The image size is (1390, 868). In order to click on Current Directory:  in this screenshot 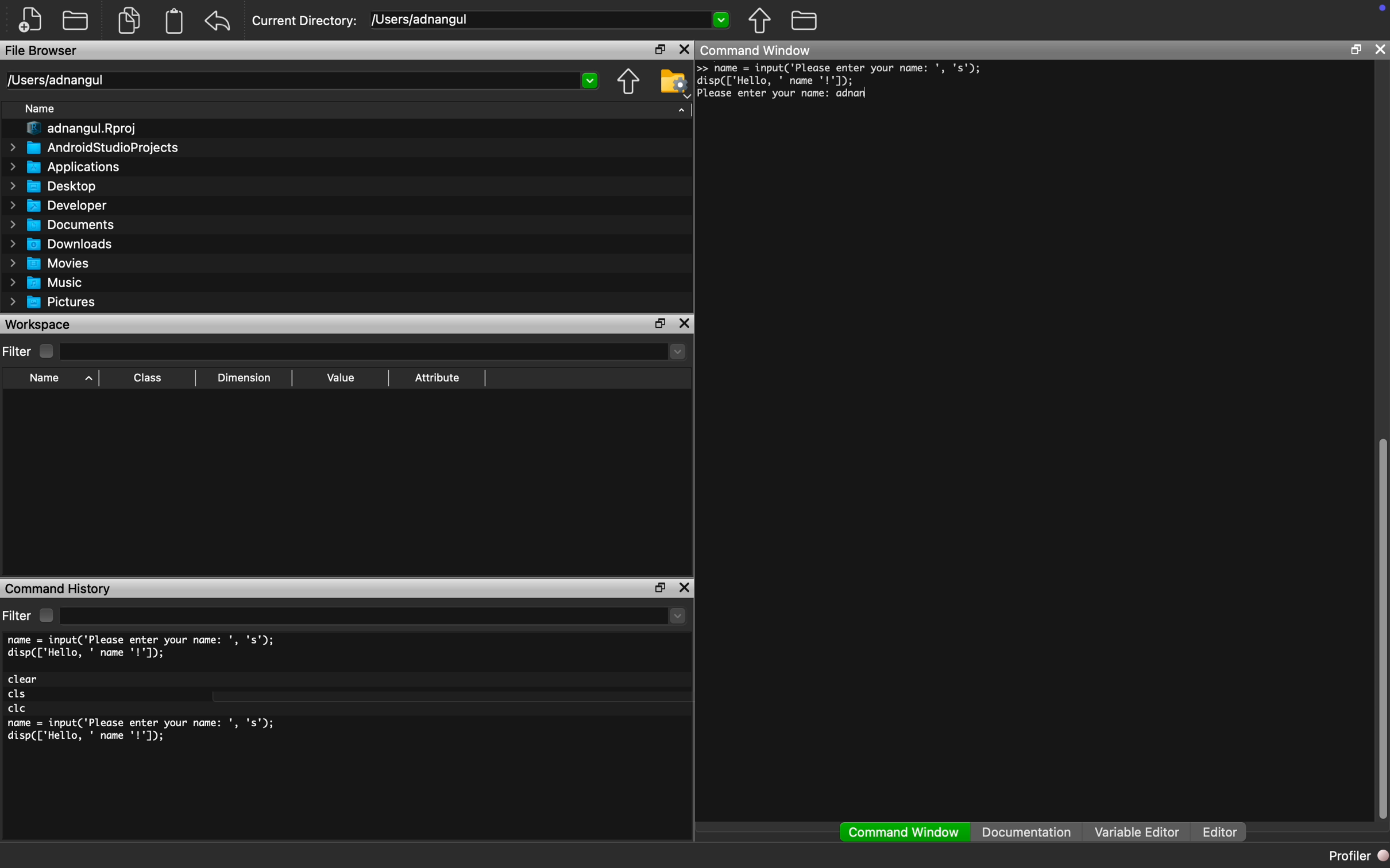, I will do `click(305, 21)`.